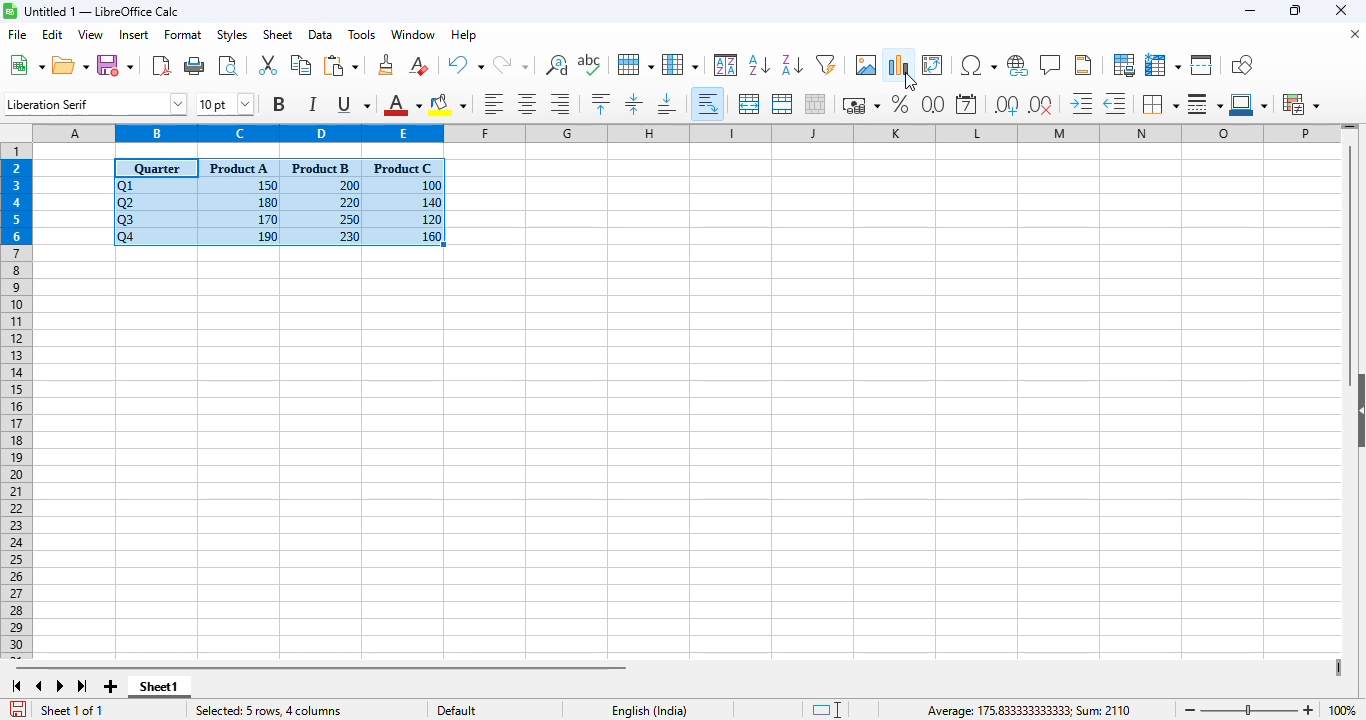 This screenshot has height=720, width=1366. What do you see at coordinates (224, 104) in the screenshot?
I see `font size` at bounding box center [224, 104].